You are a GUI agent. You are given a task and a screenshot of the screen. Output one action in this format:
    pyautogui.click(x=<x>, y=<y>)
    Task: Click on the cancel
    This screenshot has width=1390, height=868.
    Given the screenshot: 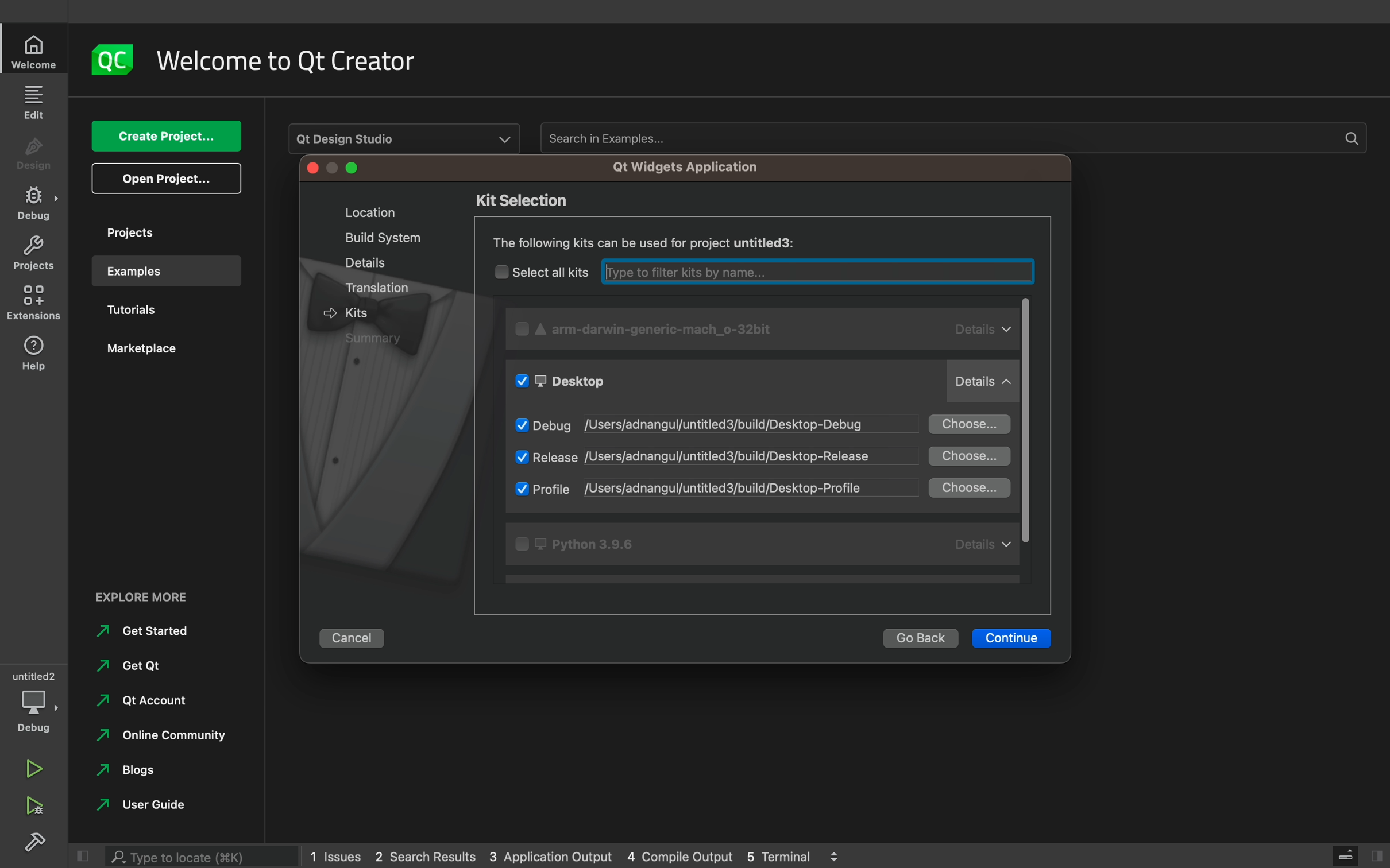 What is the action you would take?
    pyautogui.click(x=357, y=635)
    